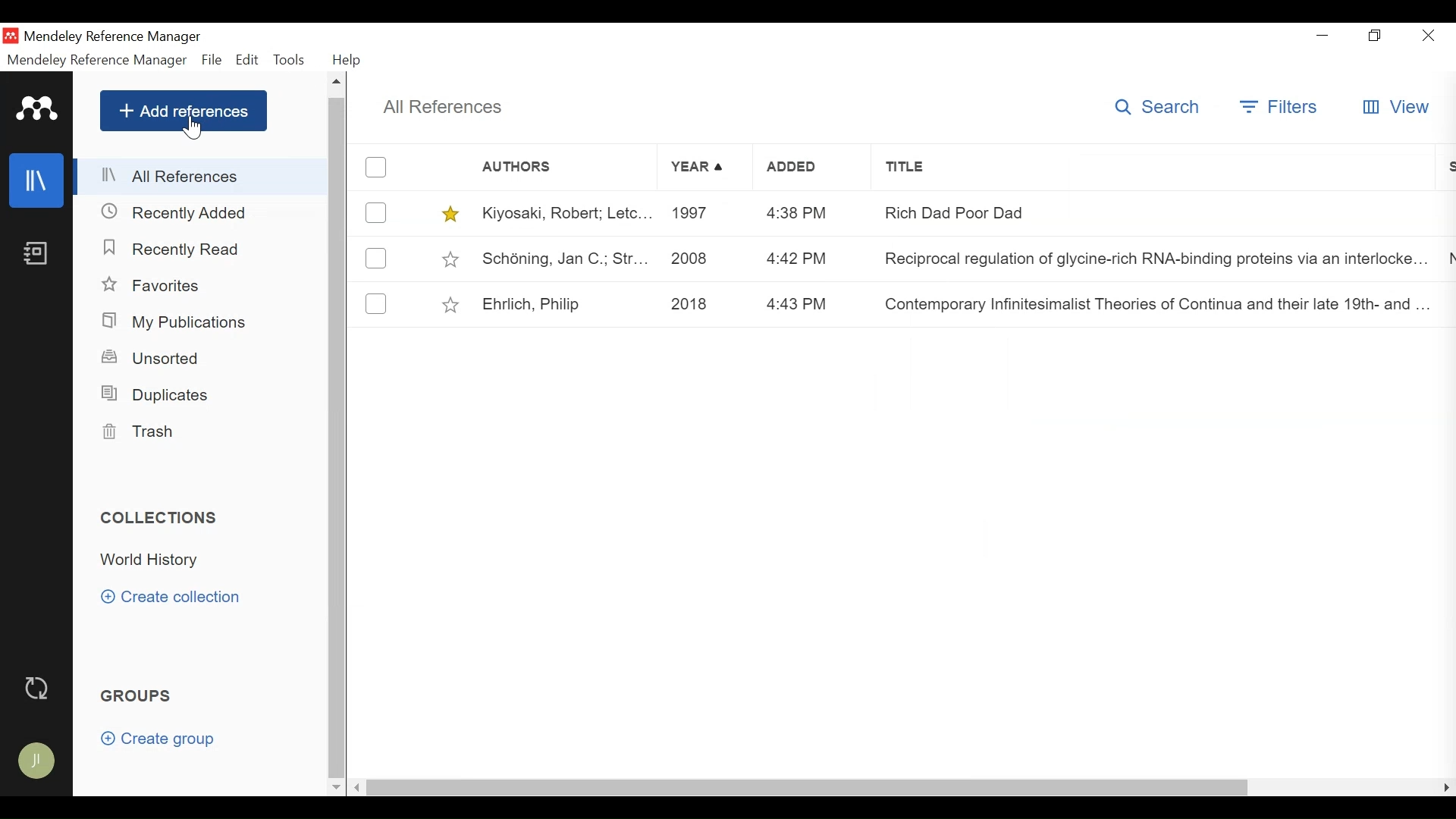 This screenshot has width=1456, height=819. I want to click on (un)select, so click(376, 305).